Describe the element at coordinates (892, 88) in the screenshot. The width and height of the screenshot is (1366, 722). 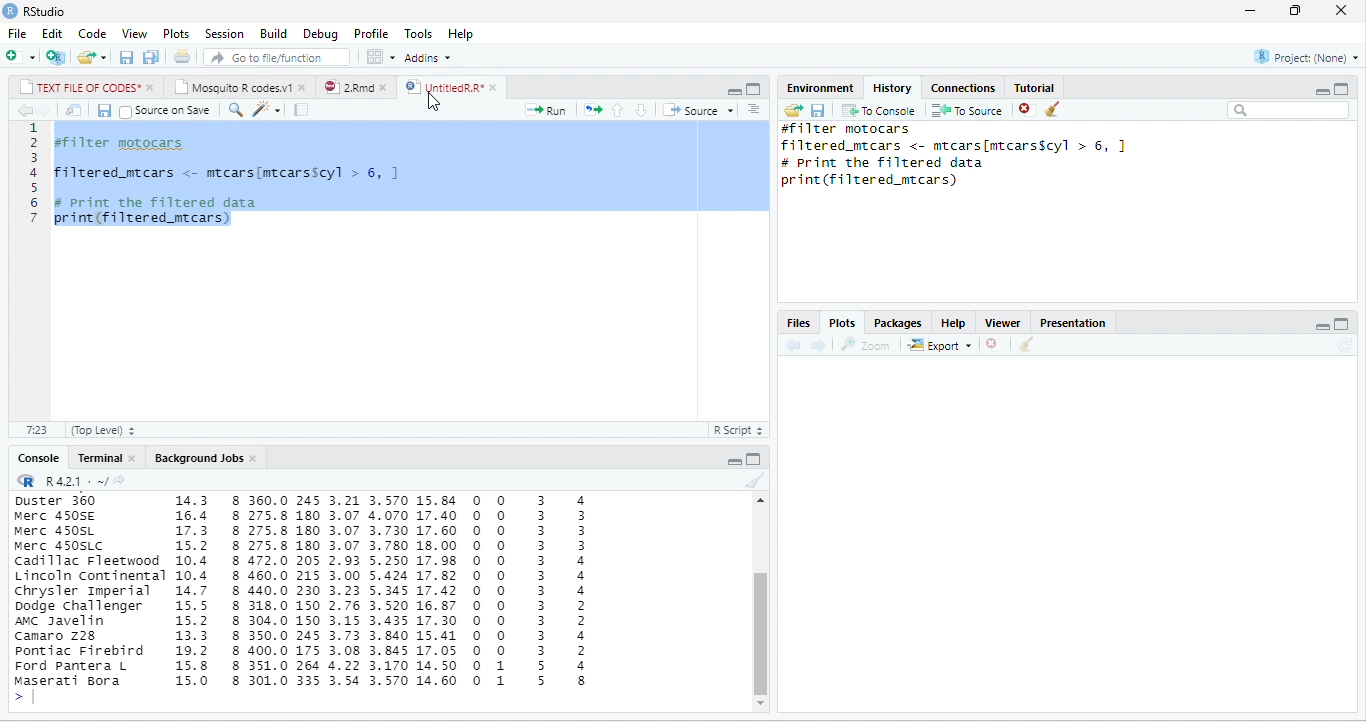
I see `History` at that location.